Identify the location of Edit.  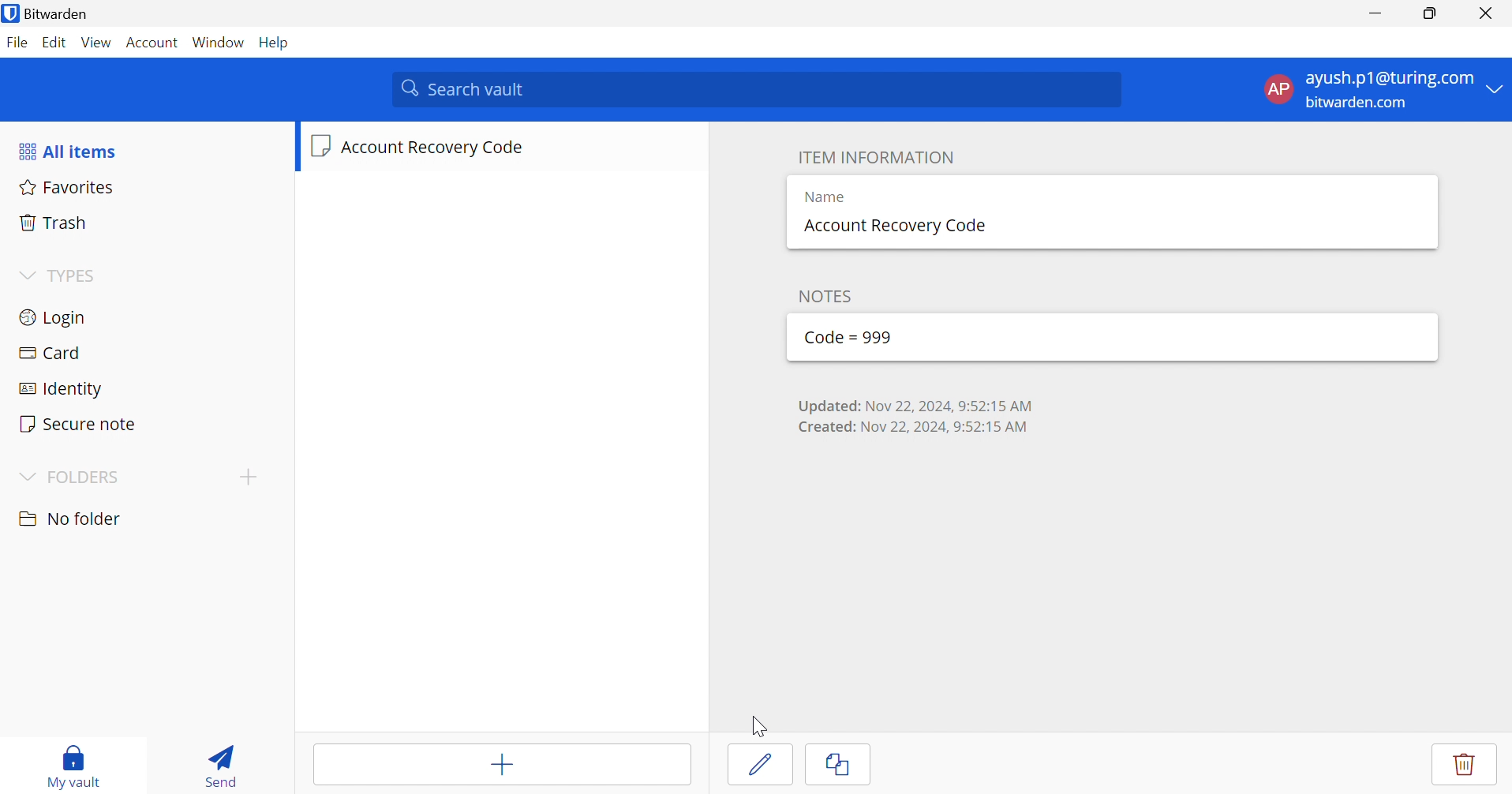
(54, 41).